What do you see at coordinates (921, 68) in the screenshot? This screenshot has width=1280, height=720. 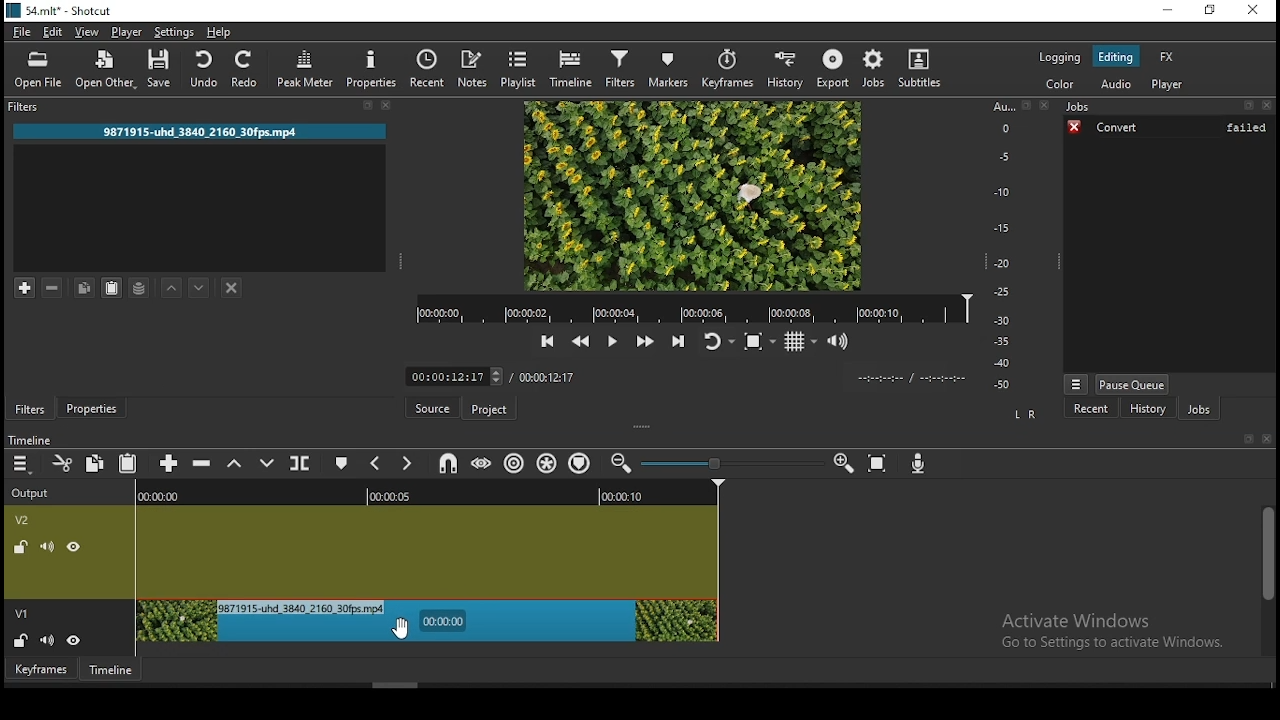 I see `subtitles` at bounding box center [921, 68].